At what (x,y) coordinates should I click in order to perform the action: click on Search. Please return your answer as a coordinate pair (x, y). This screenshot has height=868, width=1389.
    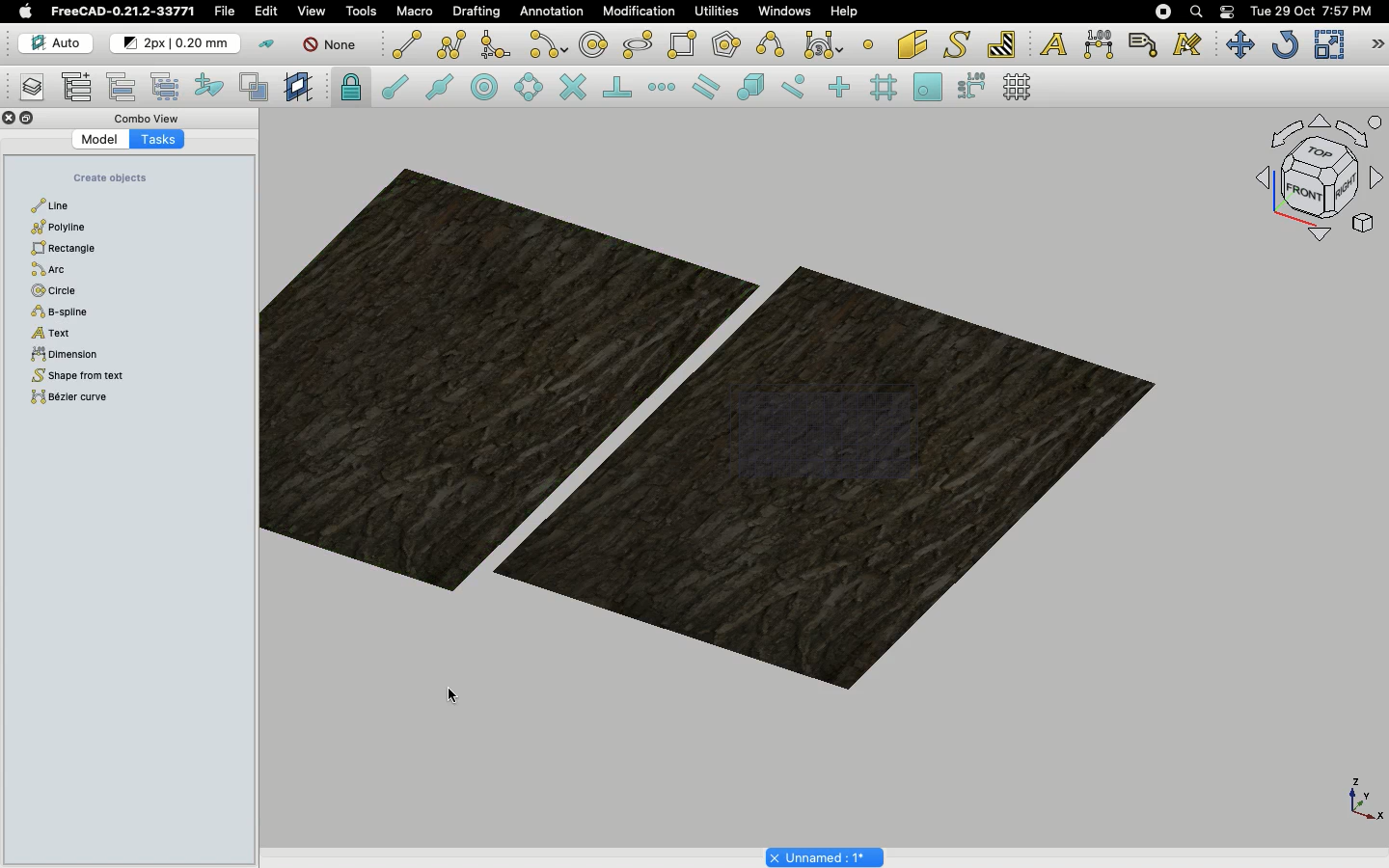
    Looking at the image, I should click on (1195, 12).